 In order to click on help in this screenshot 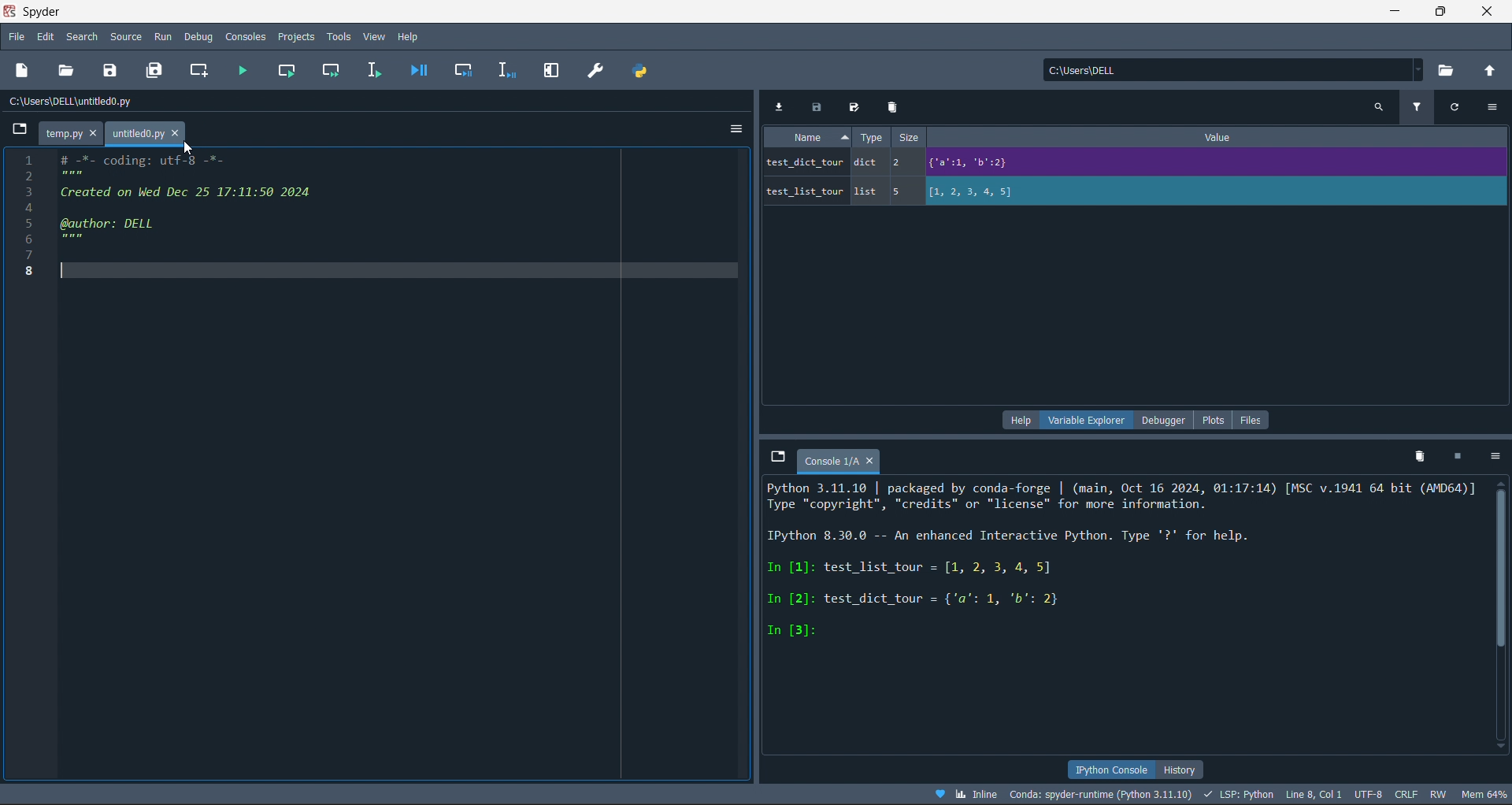, I will do `click(408, 35)`.